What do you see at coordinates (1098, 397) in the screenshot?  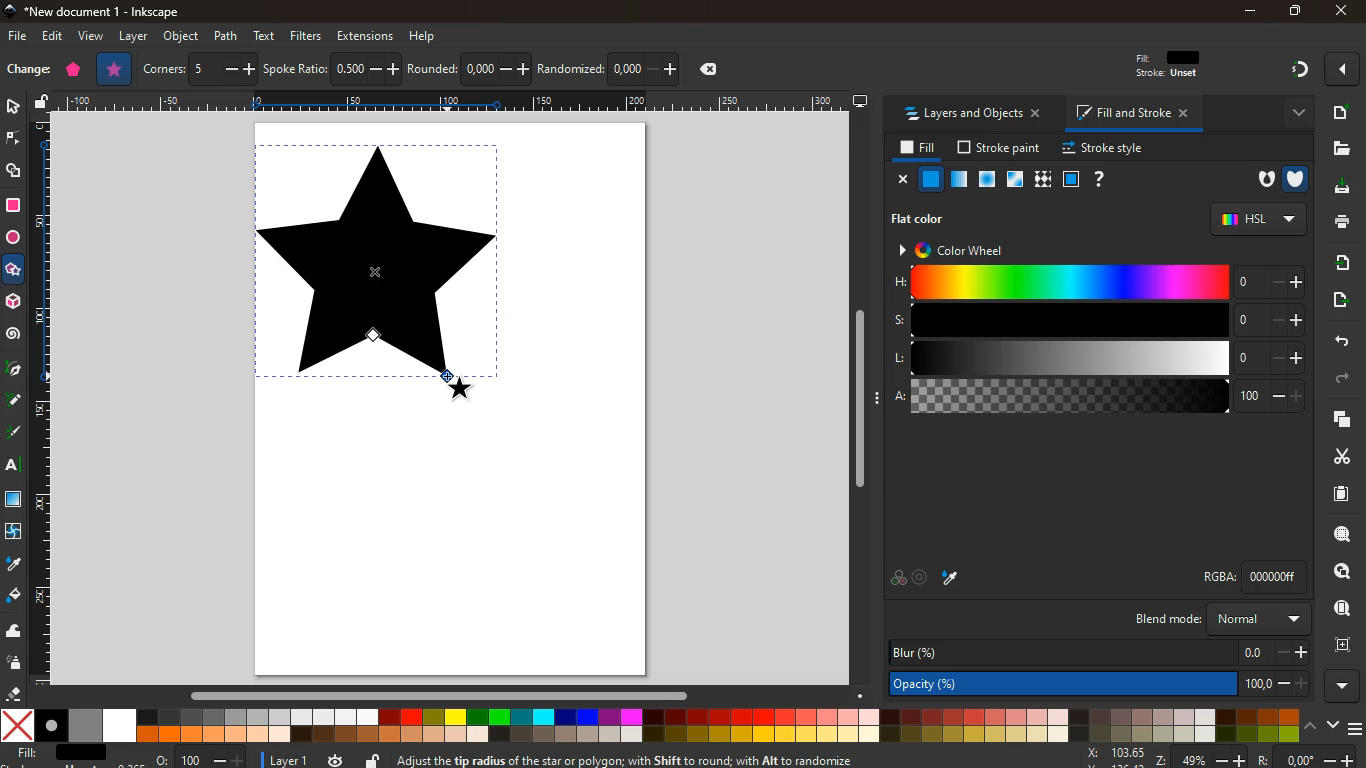 I see `a` at bounding box center [1098, 397].